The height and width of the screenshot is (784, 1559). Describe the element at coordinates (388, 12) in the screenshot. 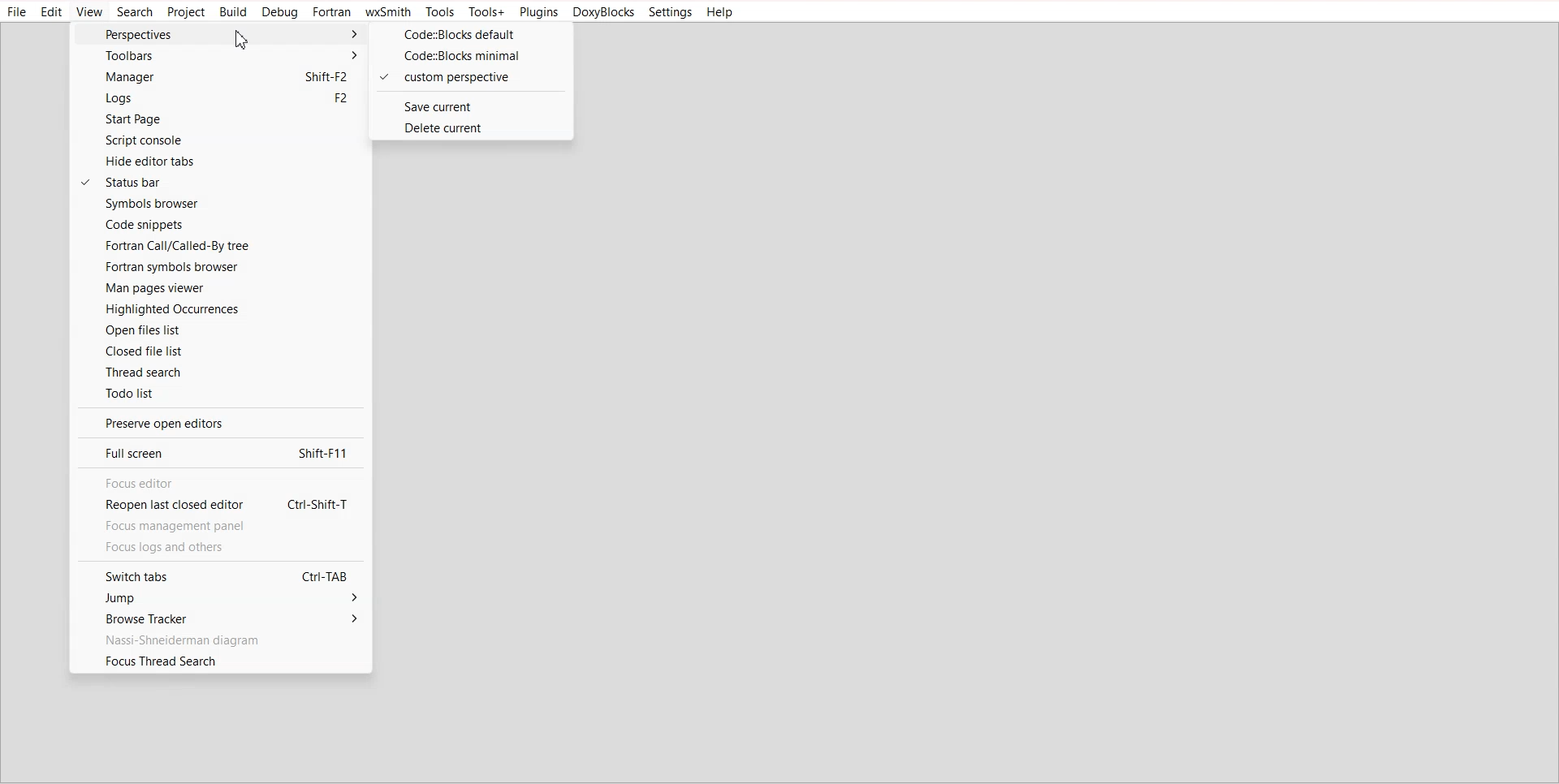

I see `wxSmith` at that location.